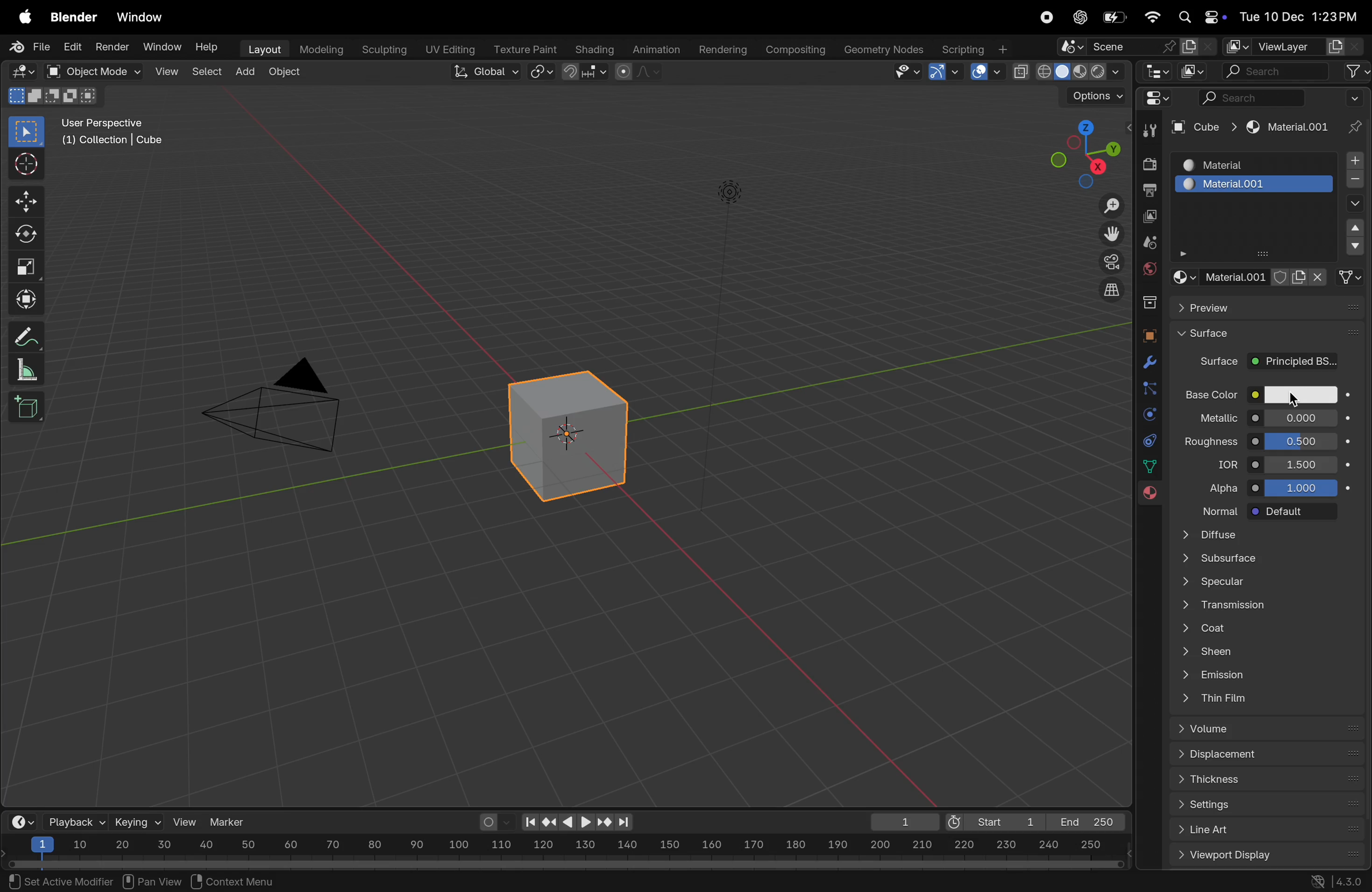 The height and width of the screenshot is (892, 1372). Describe the element at coordinates (985, 72) in the screenshot. I see `show overlays` at that location.